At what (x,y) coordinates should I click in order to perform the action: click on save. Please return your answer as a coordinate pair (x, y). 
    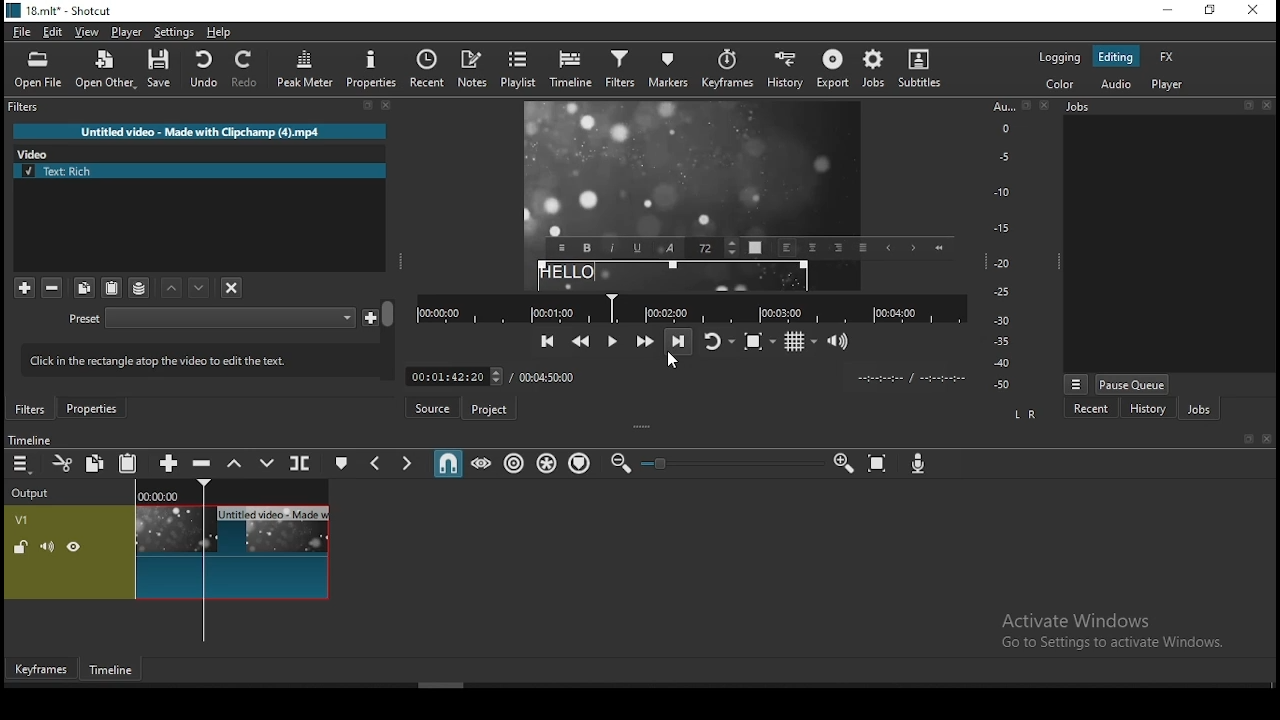
    Looking at the image, I should click on (159, 68).